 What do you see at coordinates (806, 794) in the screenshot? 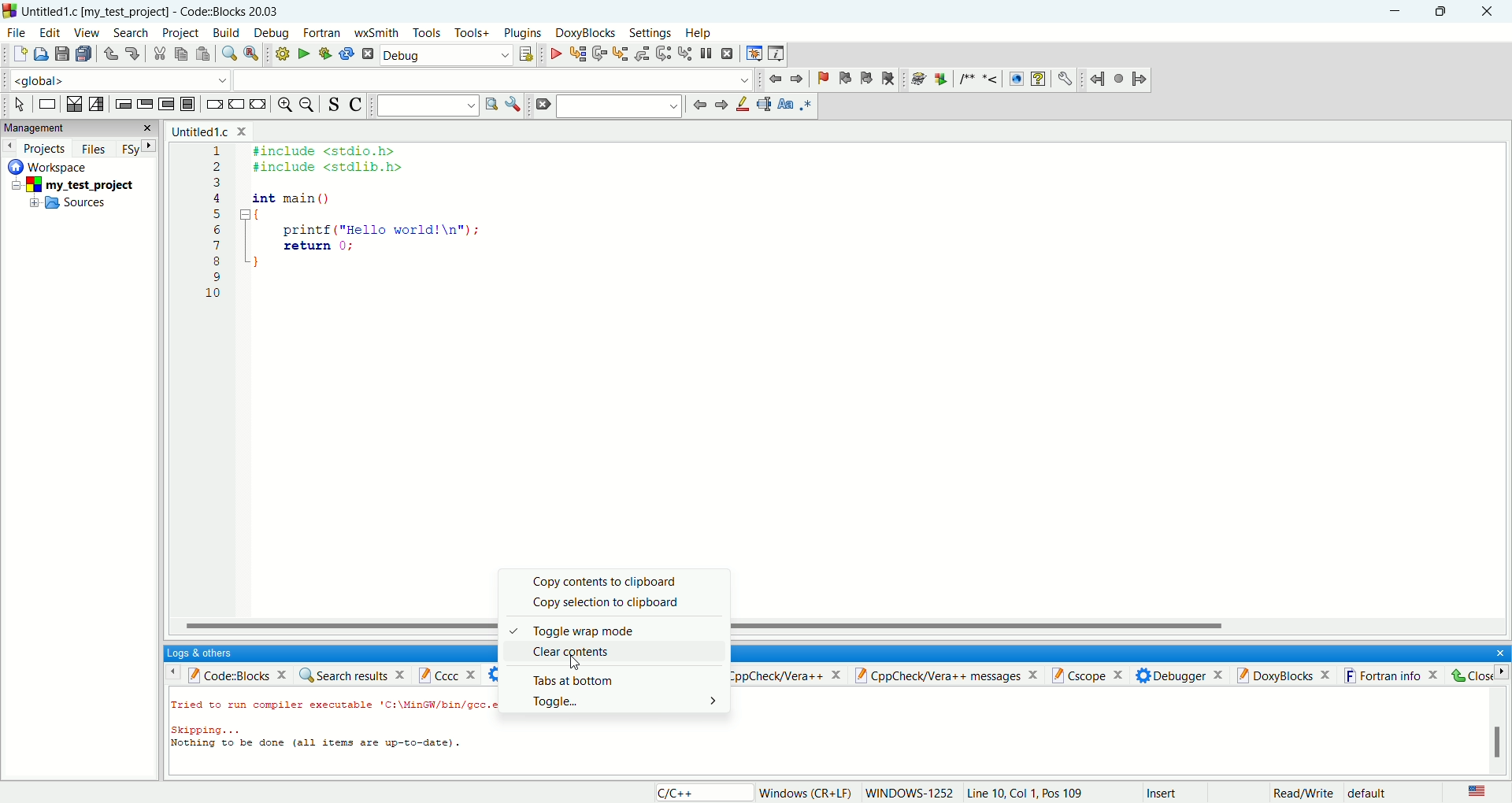
I see `windows` at bounding box center [806, 794].